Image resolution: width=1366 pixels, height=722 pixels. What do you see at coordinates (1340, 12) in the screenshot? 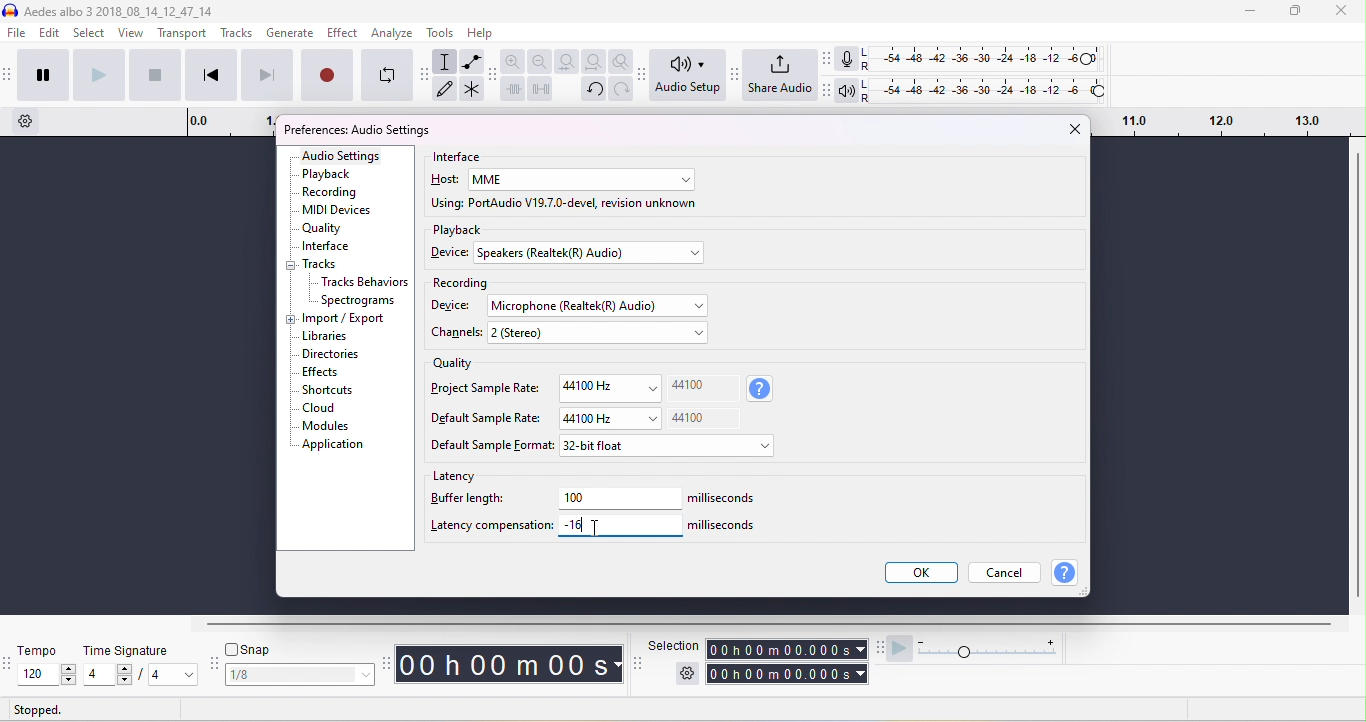
I see `close` at bounding box center [1340, 12].